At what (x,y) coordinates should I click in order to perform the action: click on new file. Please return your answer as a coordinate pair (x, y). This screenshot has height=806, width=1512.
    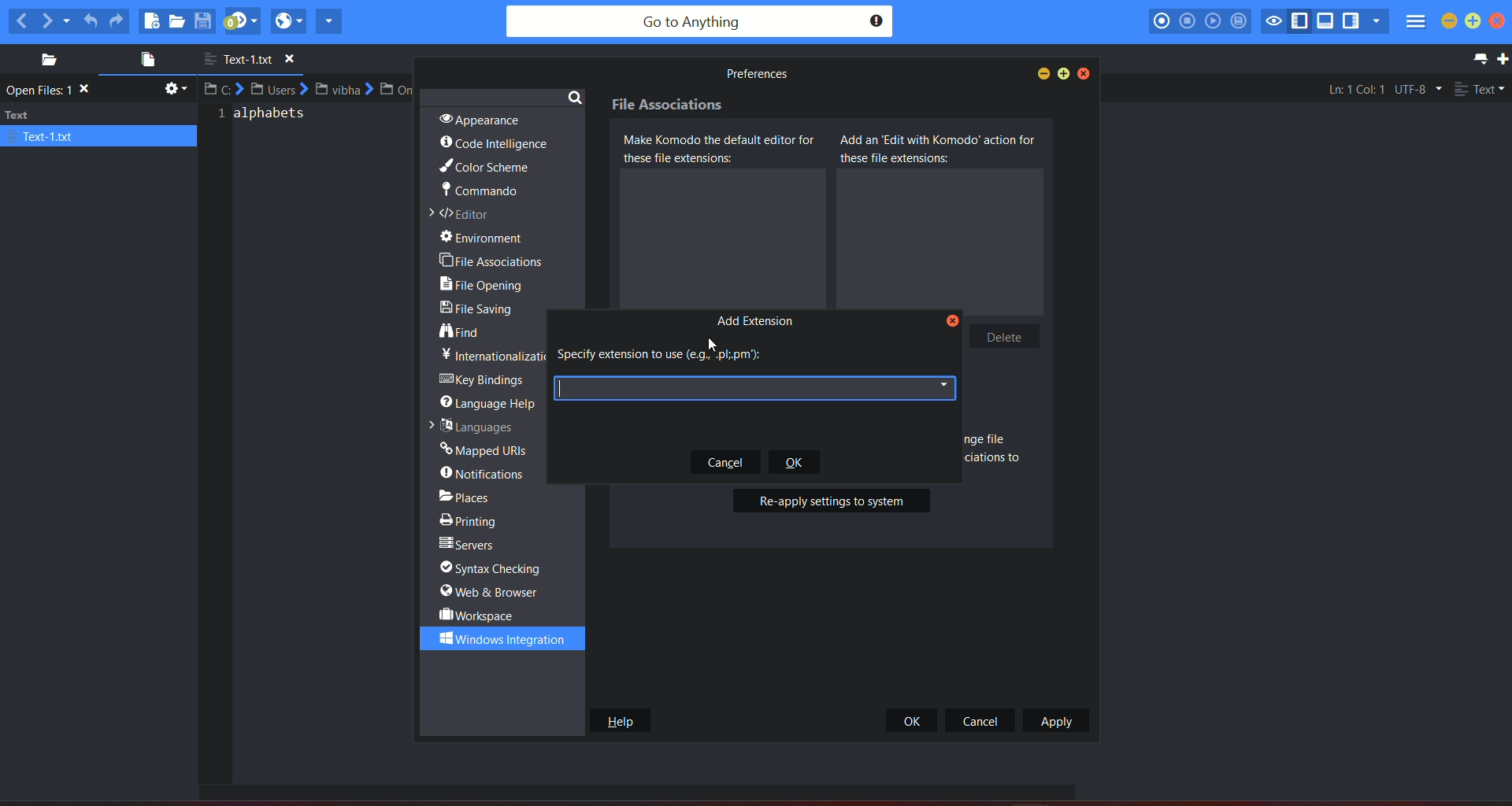
    Looking at the image, I should click on (151, 20).